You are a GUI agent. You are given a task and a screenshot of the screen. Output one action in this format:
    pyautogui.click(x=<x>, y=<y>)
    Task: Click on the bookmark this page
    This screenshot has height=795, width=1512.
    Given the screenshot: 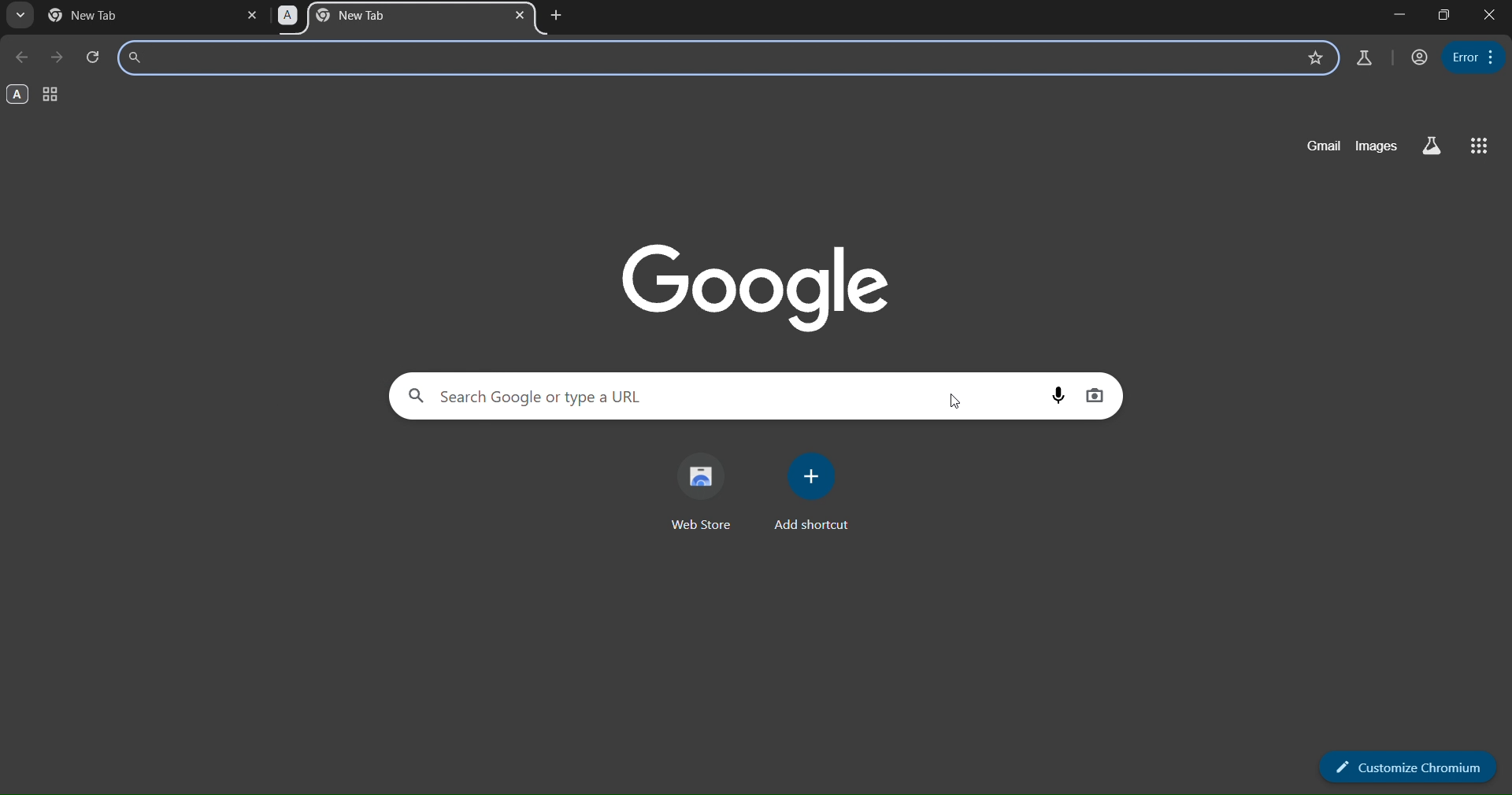 What is the action you would take?
    pyautogui.click(x=1315, y=57)
    